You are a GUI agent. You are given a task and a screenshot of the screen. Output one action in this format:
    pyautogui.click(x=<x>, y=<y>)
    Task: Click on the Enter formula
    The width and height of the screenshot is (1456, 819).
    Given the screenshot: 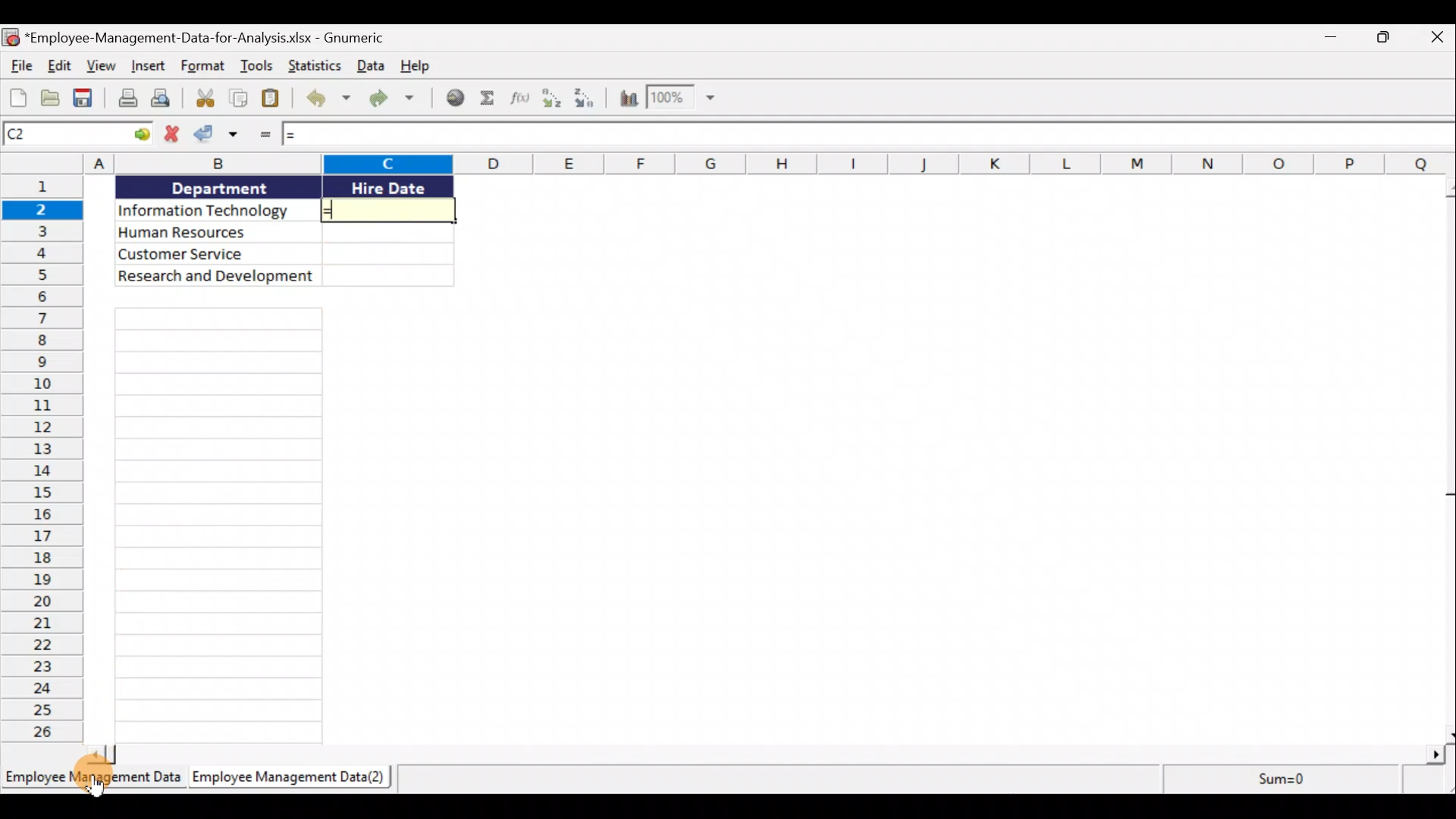 What is the action you would take?
    pyautogui.click(x=259, y=137)
    